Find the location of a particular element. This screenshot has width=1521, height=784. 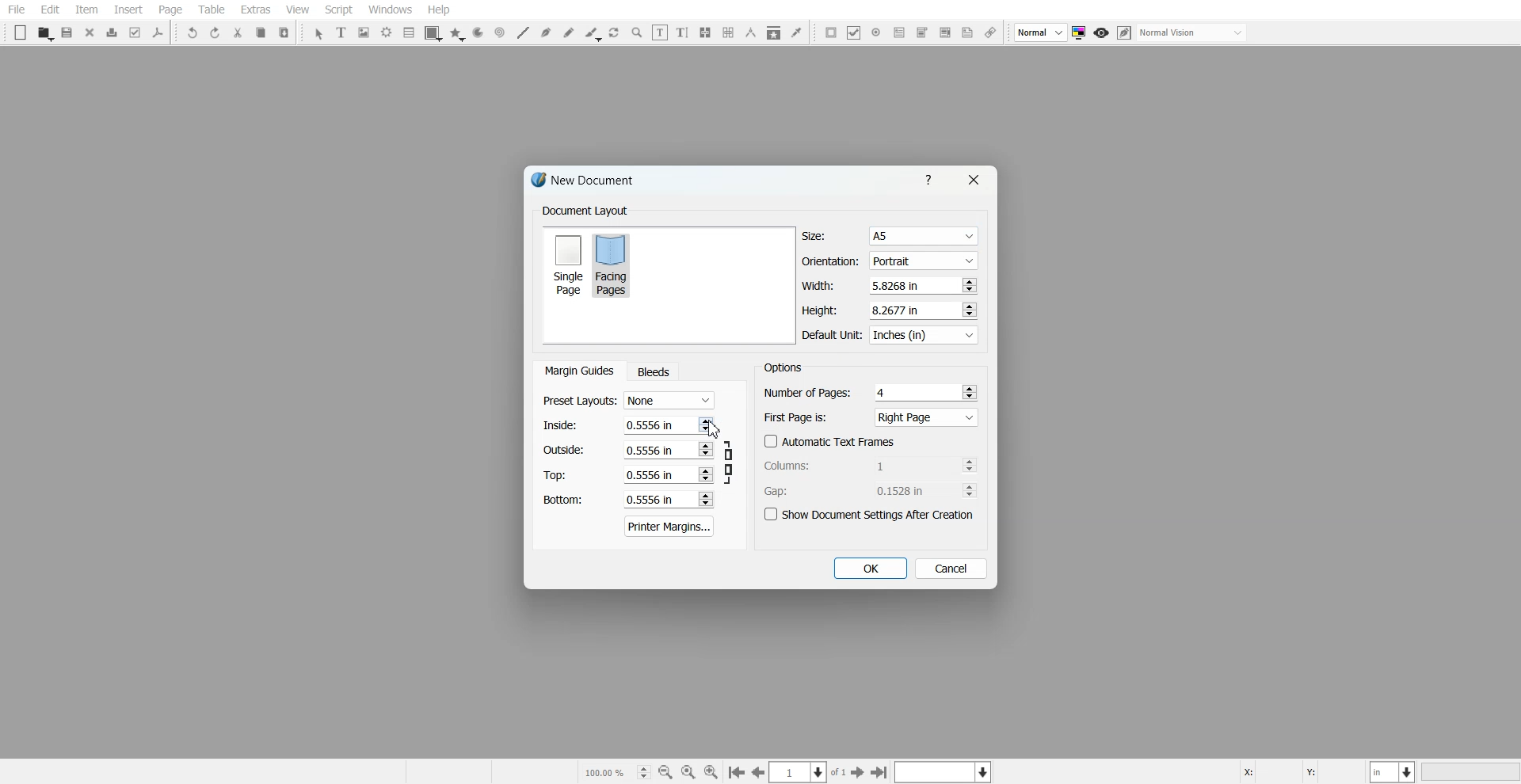

View is located at coordinates (297, 10).